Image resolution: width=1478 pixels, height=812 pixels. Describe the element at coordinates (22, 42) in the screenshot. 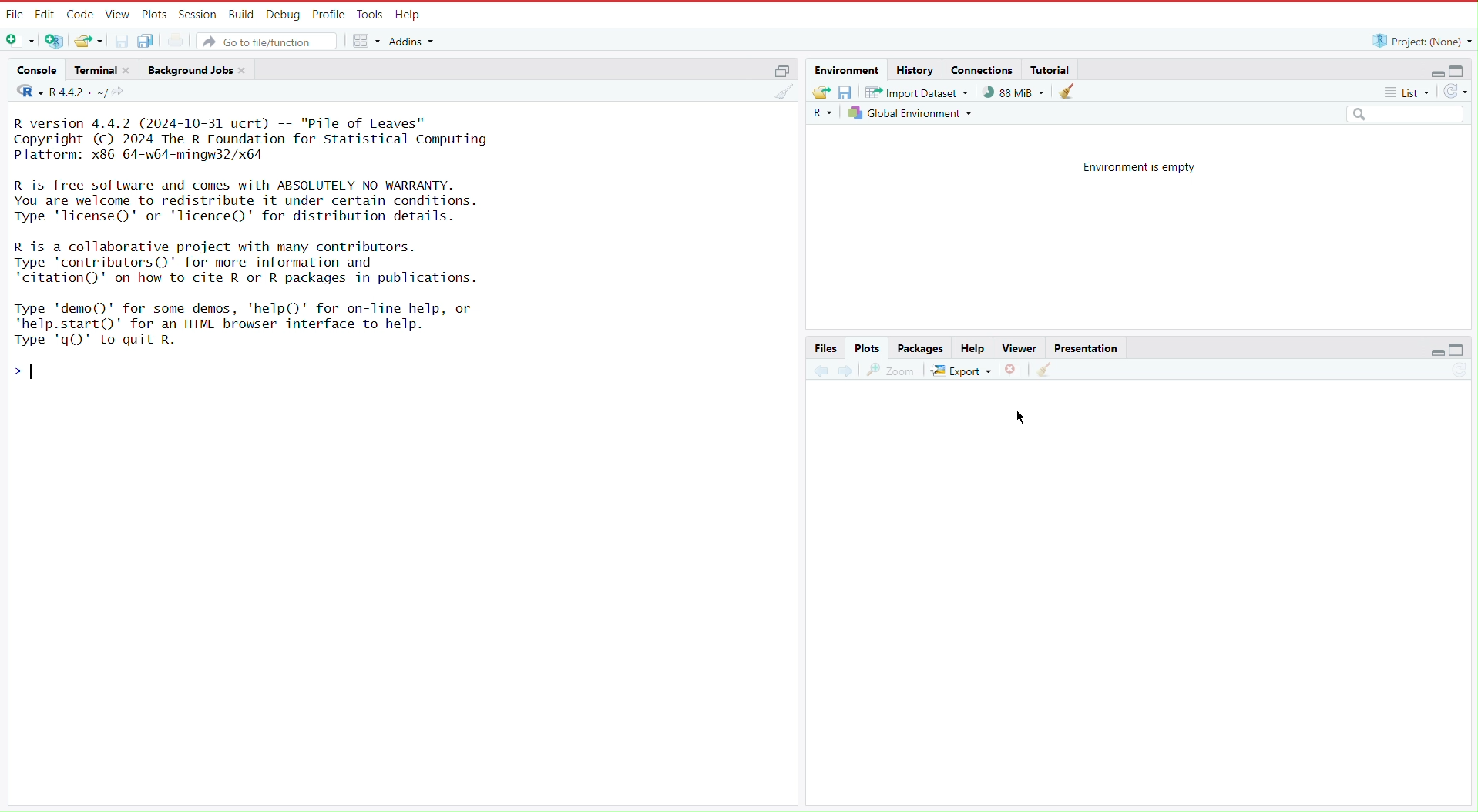

I see `New File` at that location.